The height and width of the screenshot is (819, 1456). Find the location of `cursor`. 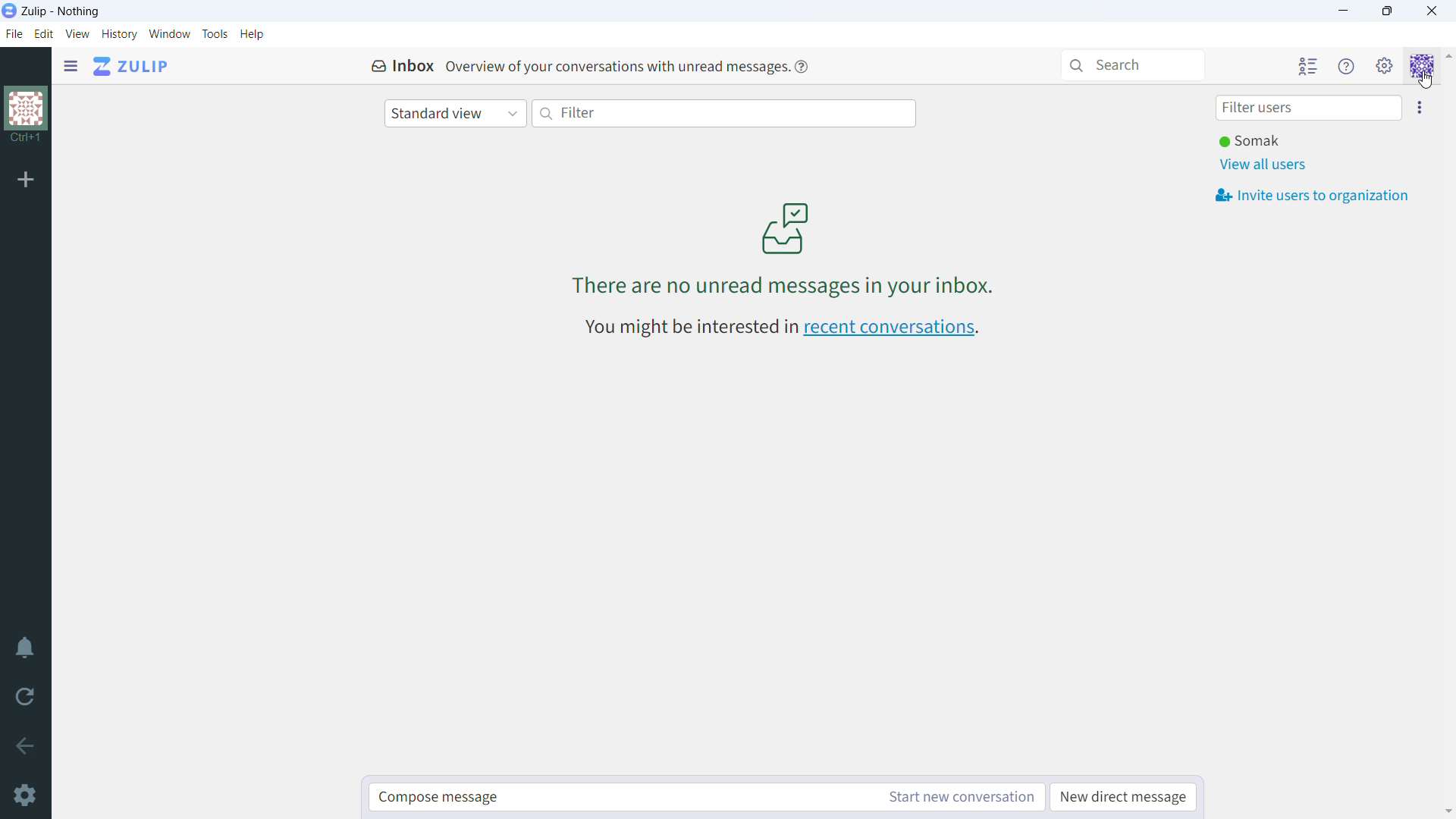

cursor is located at coordinates (1425, 80).